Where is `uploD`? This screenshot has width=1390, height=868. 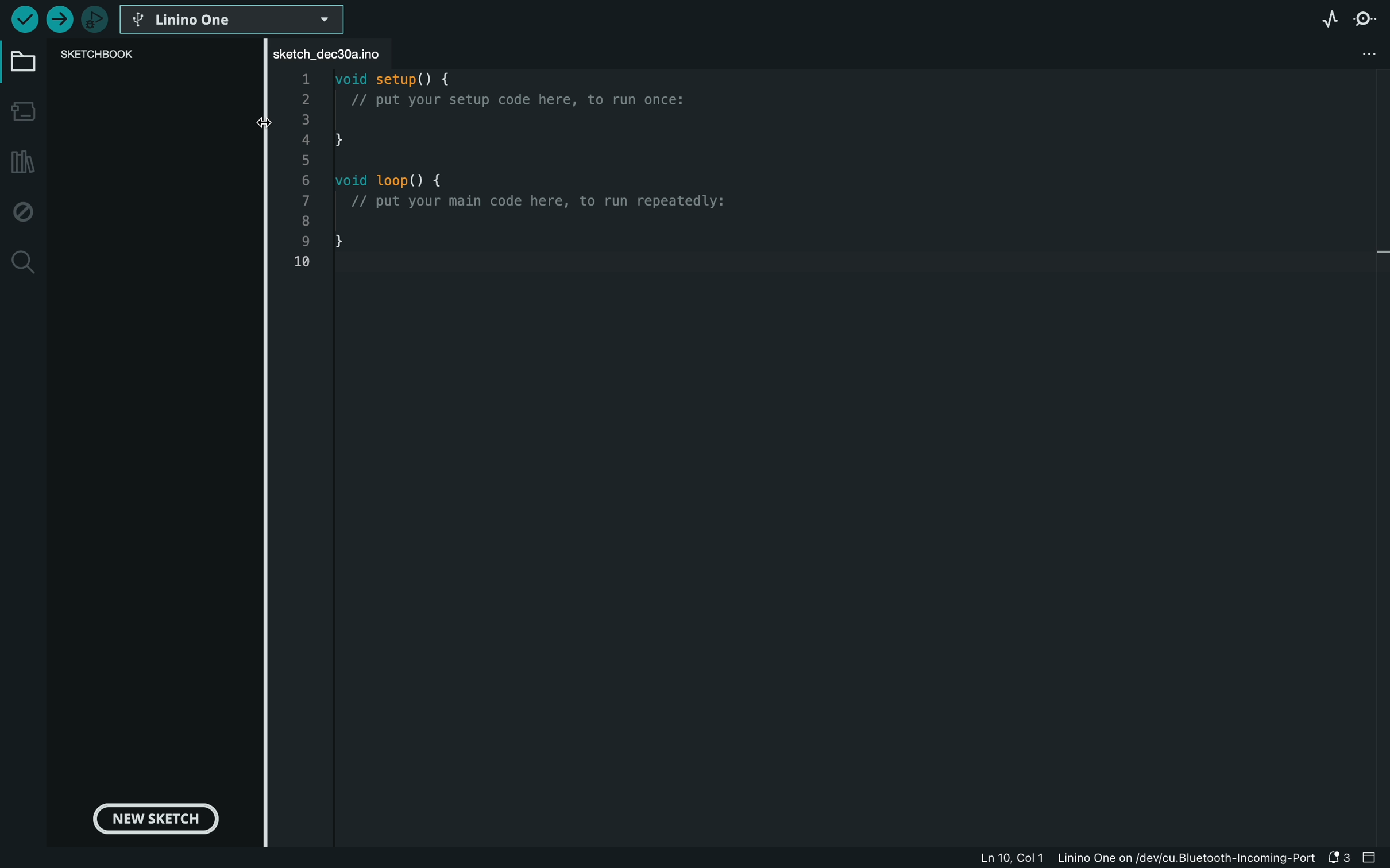 uploD is located at coordinates (25, 18).